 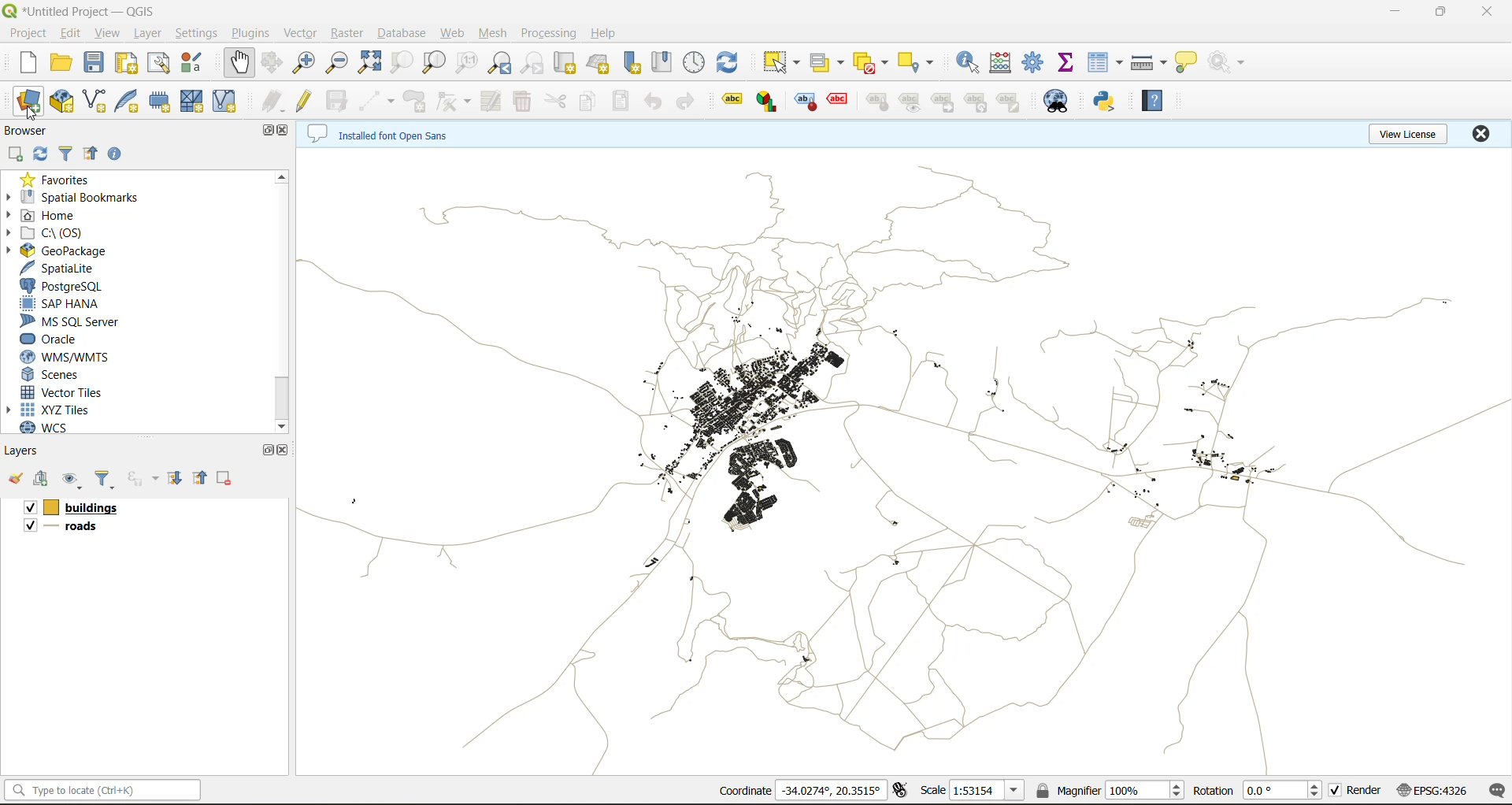 What do you see at coordinates (202, 478) in the screenshot?
I see `collapse all` at bounding box center [202, 478].